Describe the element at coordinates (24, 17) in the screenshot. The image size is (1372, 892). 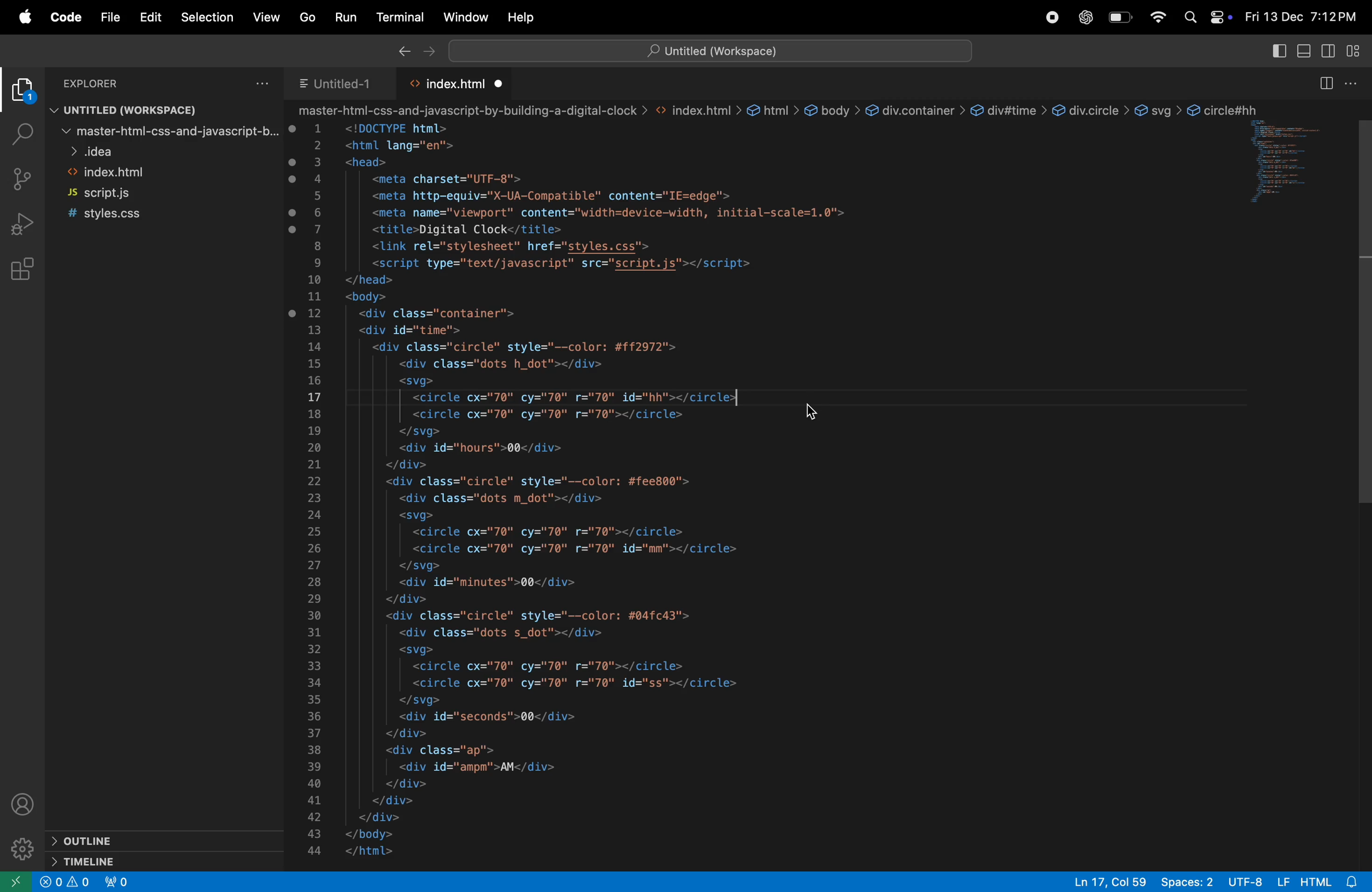
I see `apple menu` at that location.